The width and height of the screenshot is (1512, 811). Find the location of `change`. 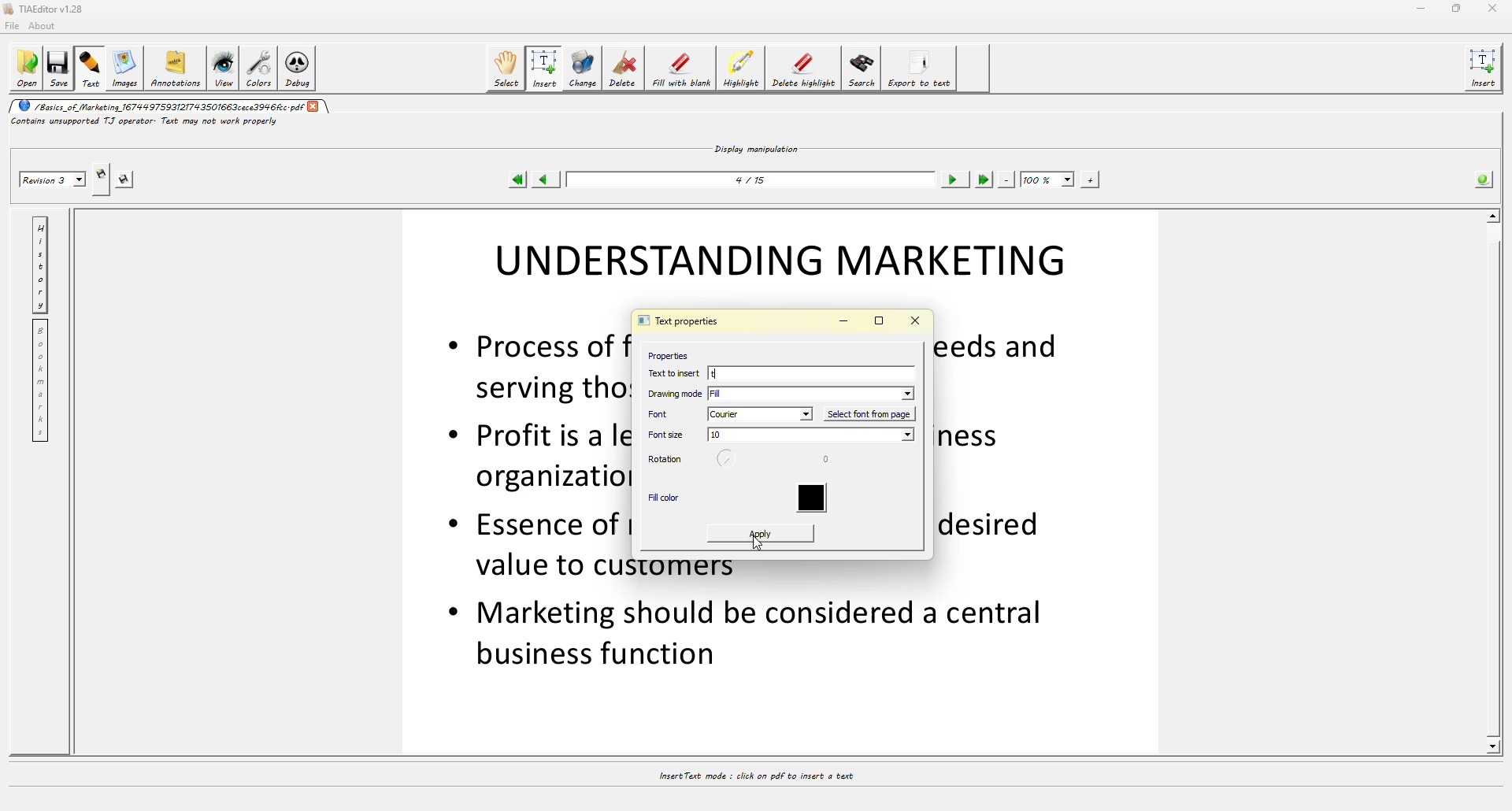

change is located at coordinates (583, 68).